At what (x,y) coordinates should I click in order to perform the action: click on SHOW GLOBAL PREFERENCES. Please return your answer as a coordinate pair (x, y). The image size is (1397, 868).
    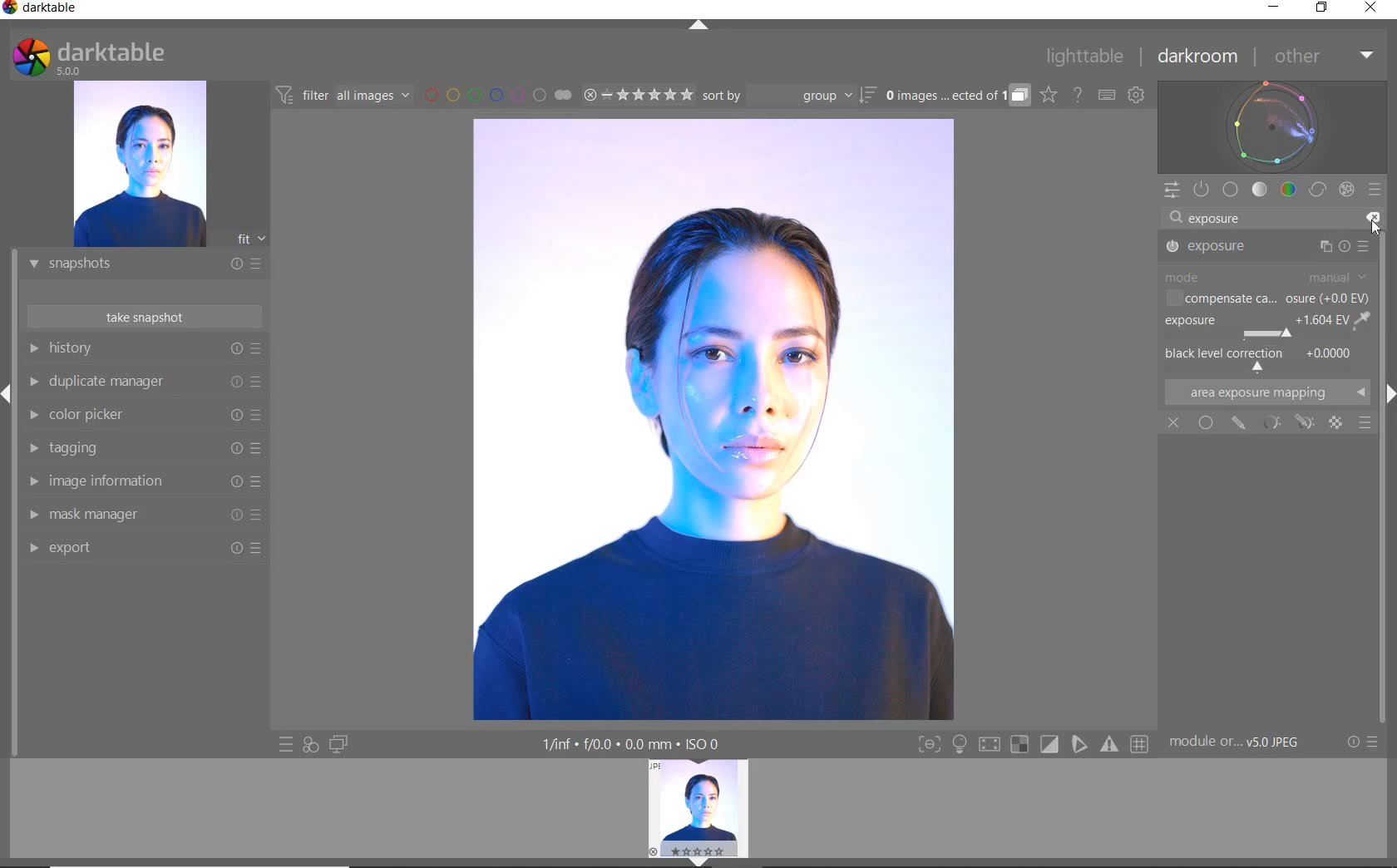
    Looking at the image, I should click on (1136, 96).